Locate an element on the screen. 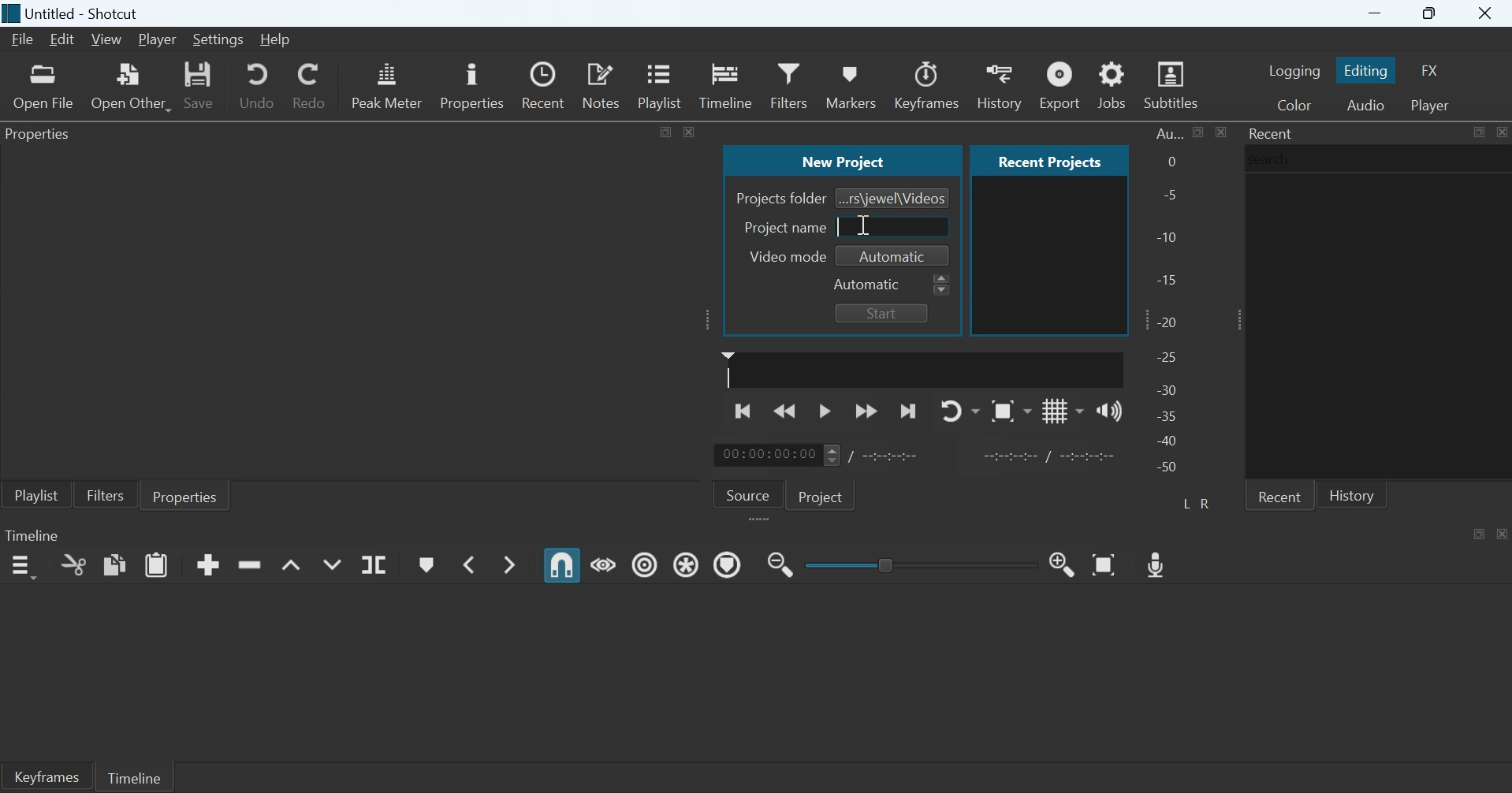  Maximize is located at coordinates (1432, 14).